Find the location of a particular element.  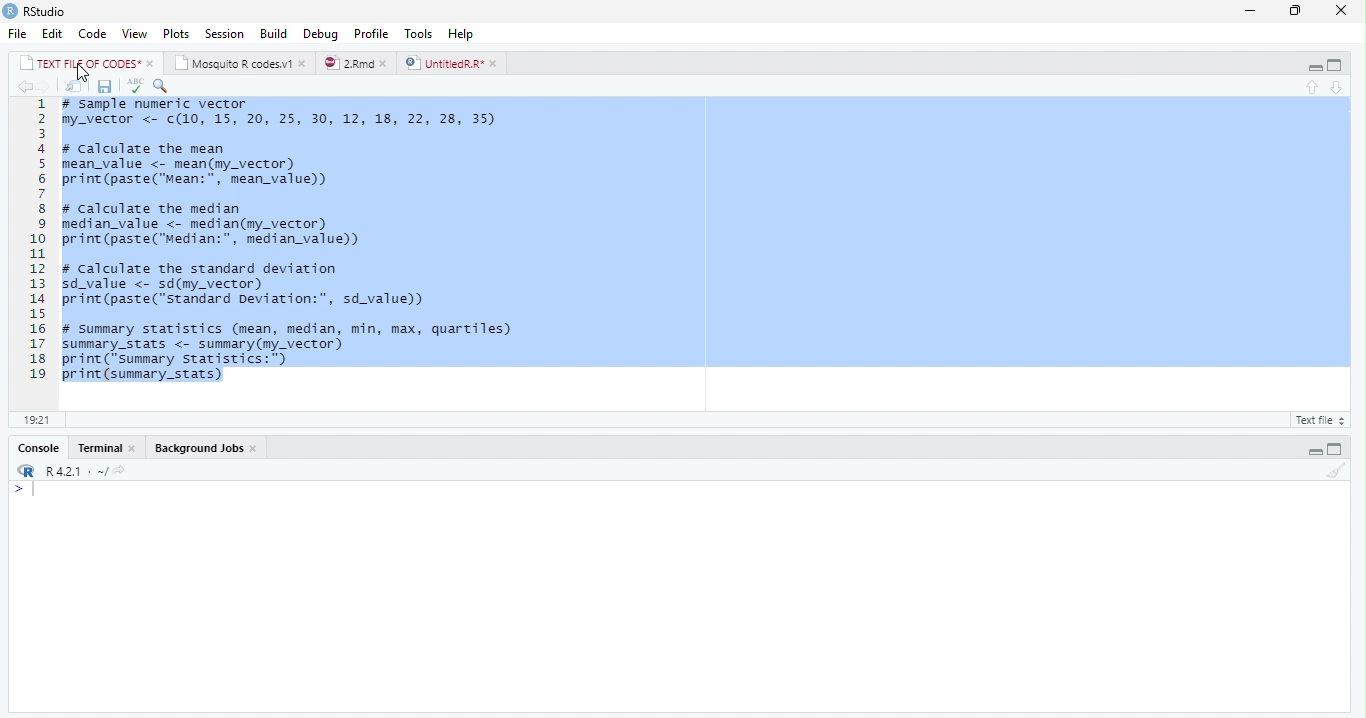

2.Rmd is located at coordinates (348, 63).